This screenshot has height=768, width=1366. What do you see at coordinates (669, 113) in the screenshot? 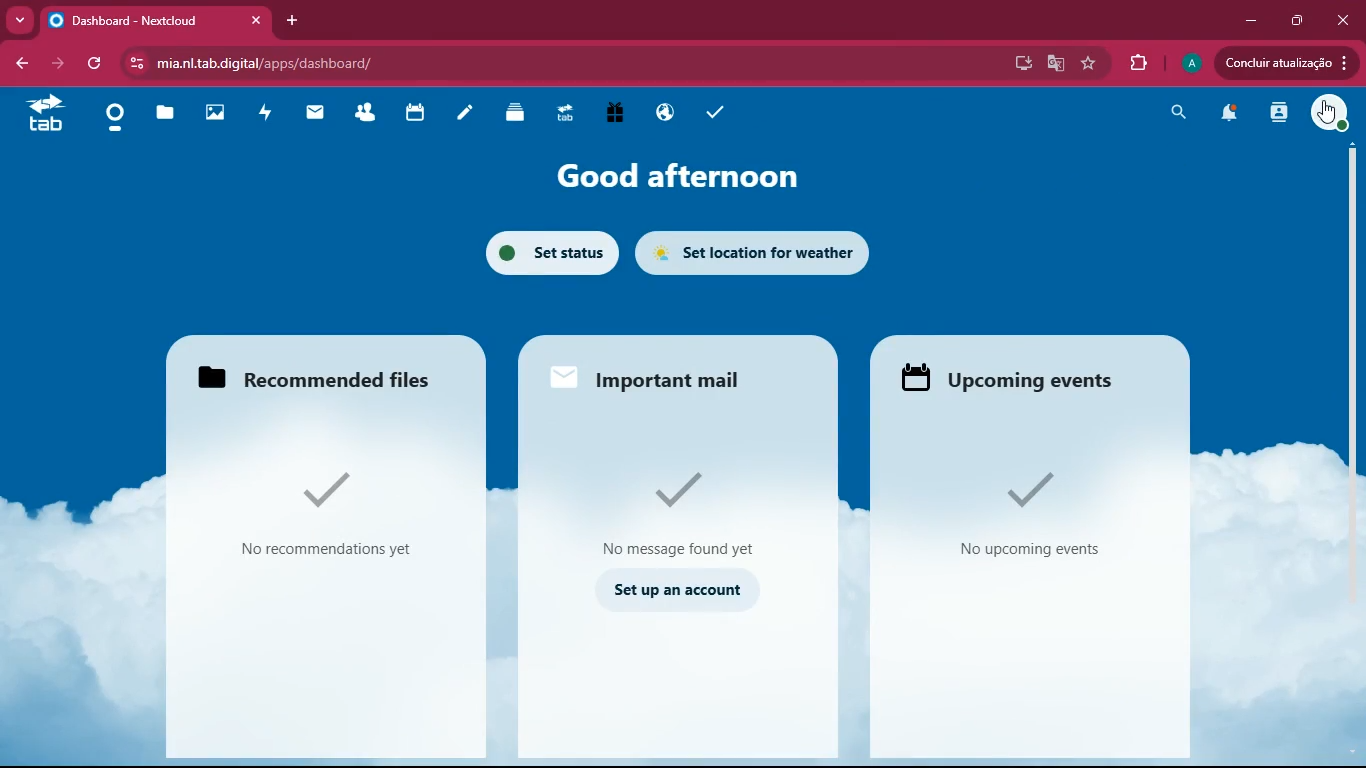
I see `public` at bounding box center [669, 113].